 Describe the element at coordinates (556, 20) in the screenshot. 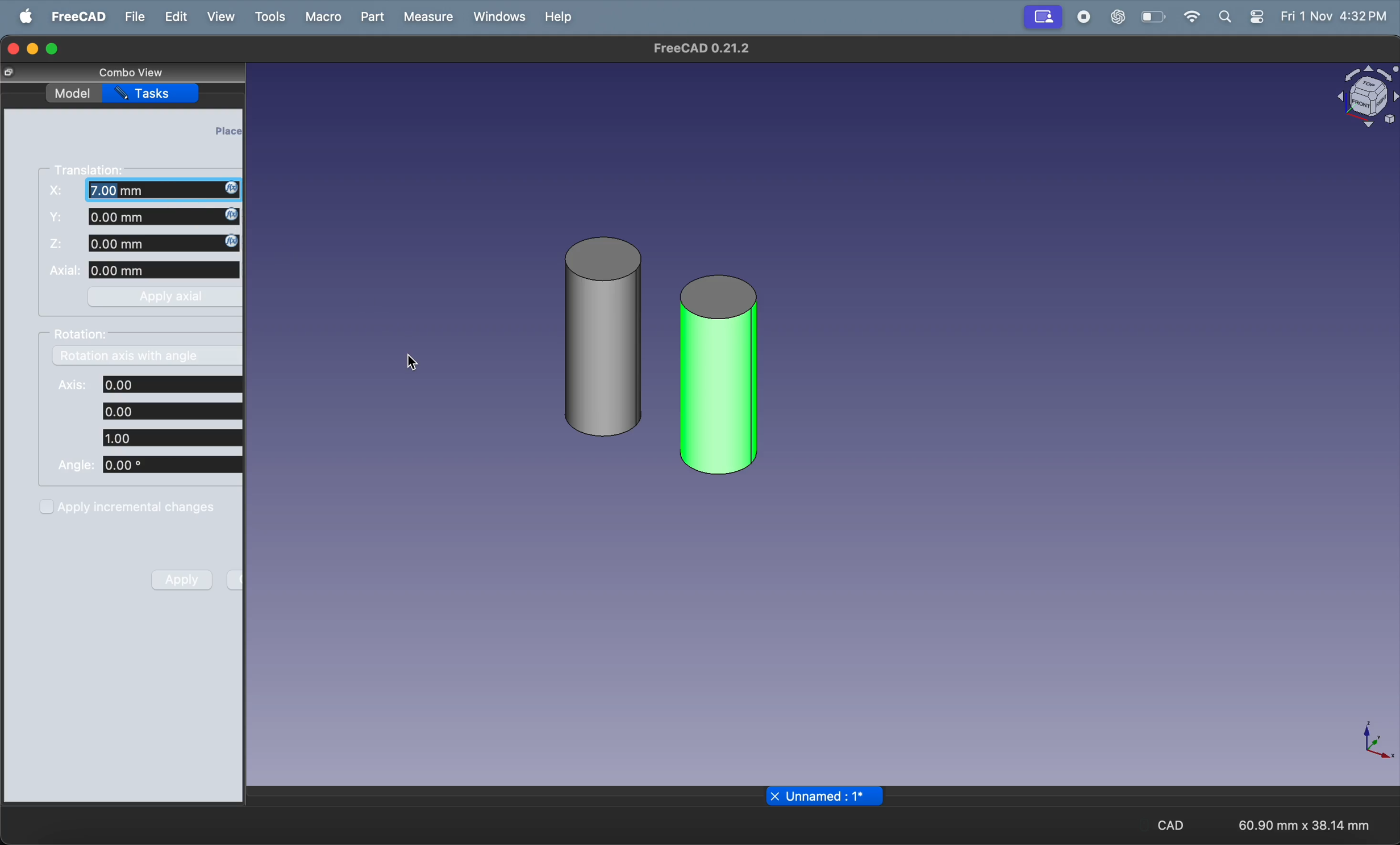

I see `help` at that location.